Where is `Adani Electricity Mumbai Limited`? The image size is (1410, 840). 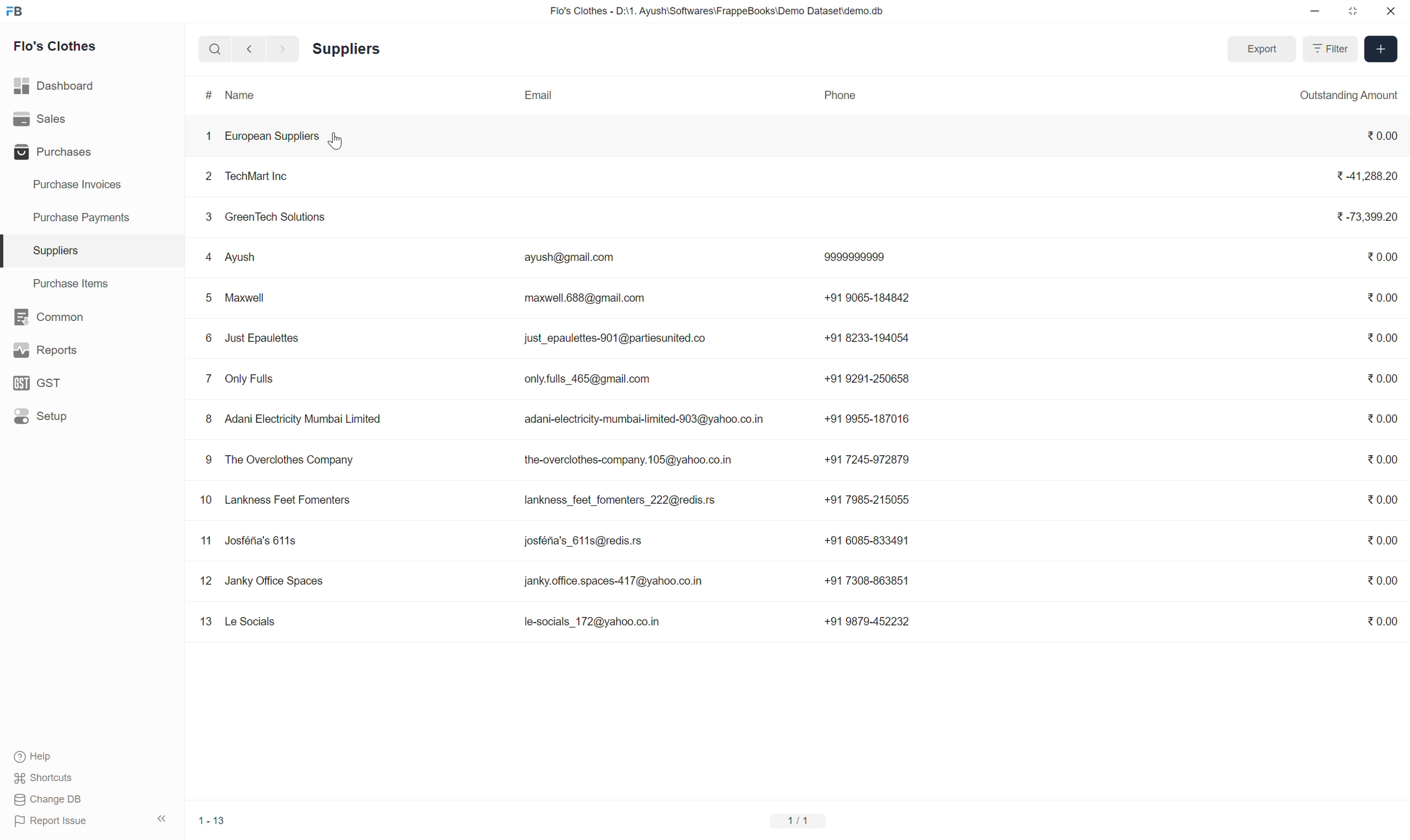 Adani Electricity Mumbai Limited is located at coordinates (307, 419).